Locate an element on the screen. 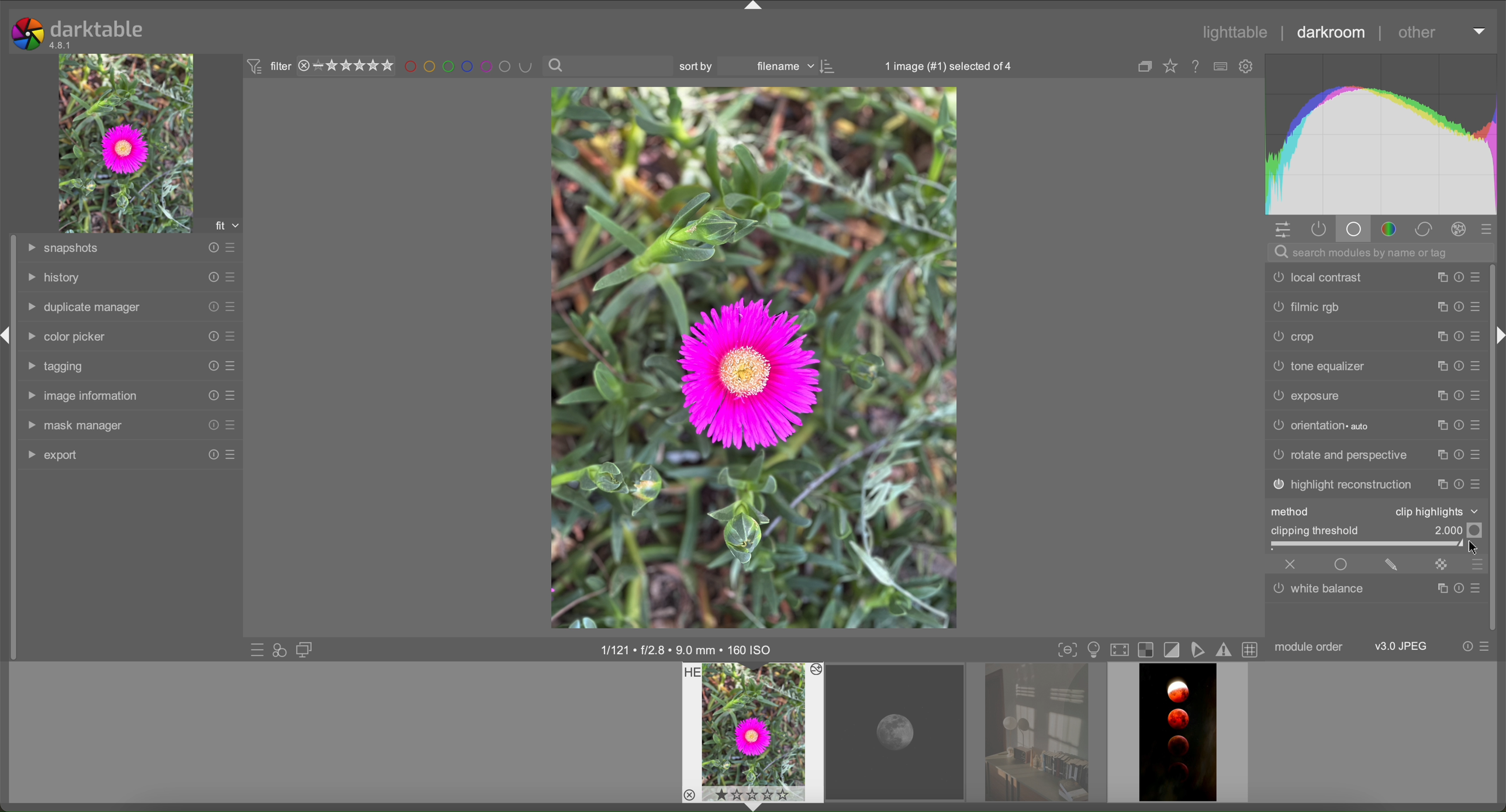 Image resolution: width=1506 pixels, height=812 pixels. arrow is located at coordinates (754, 7).